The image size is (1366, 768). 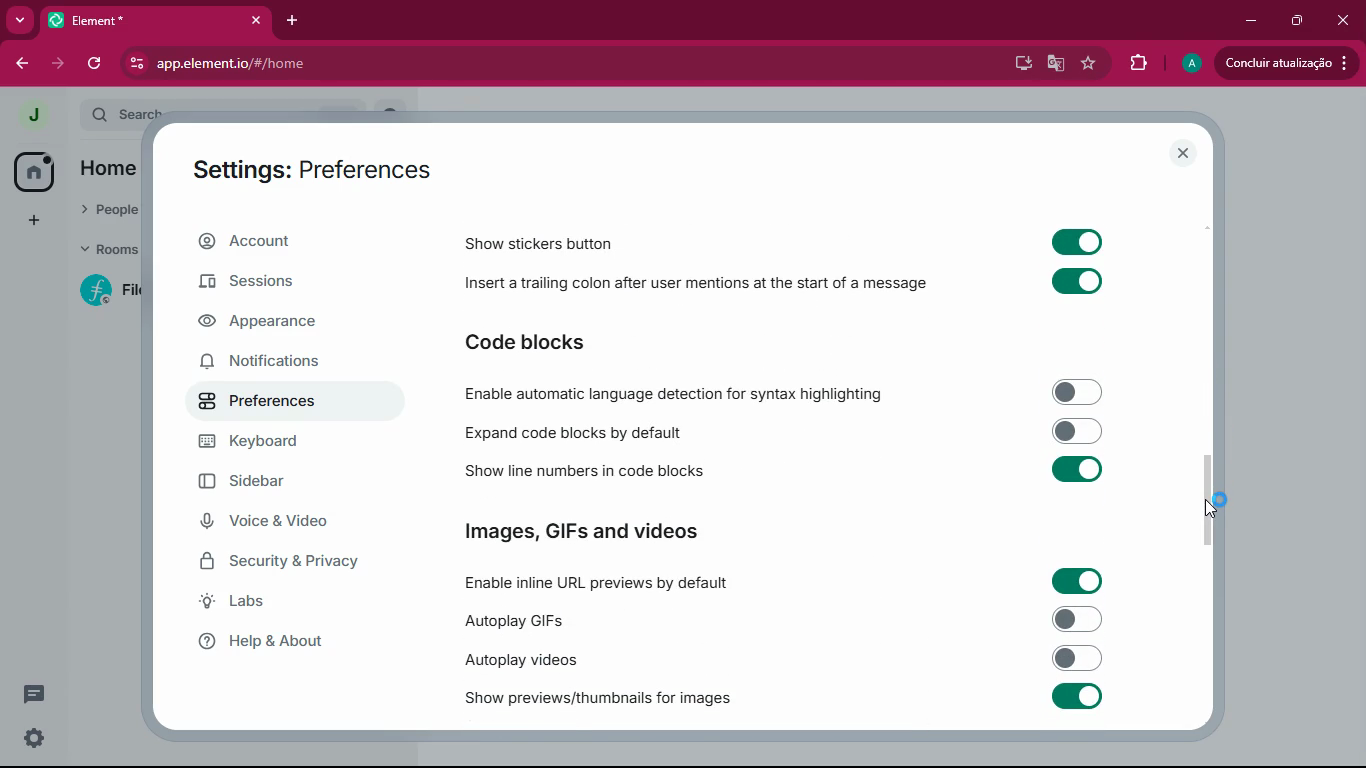 What do you see at coordinates (288, 640) in the screenshot?
I see `Help & About` at bounding box center [288, 640].